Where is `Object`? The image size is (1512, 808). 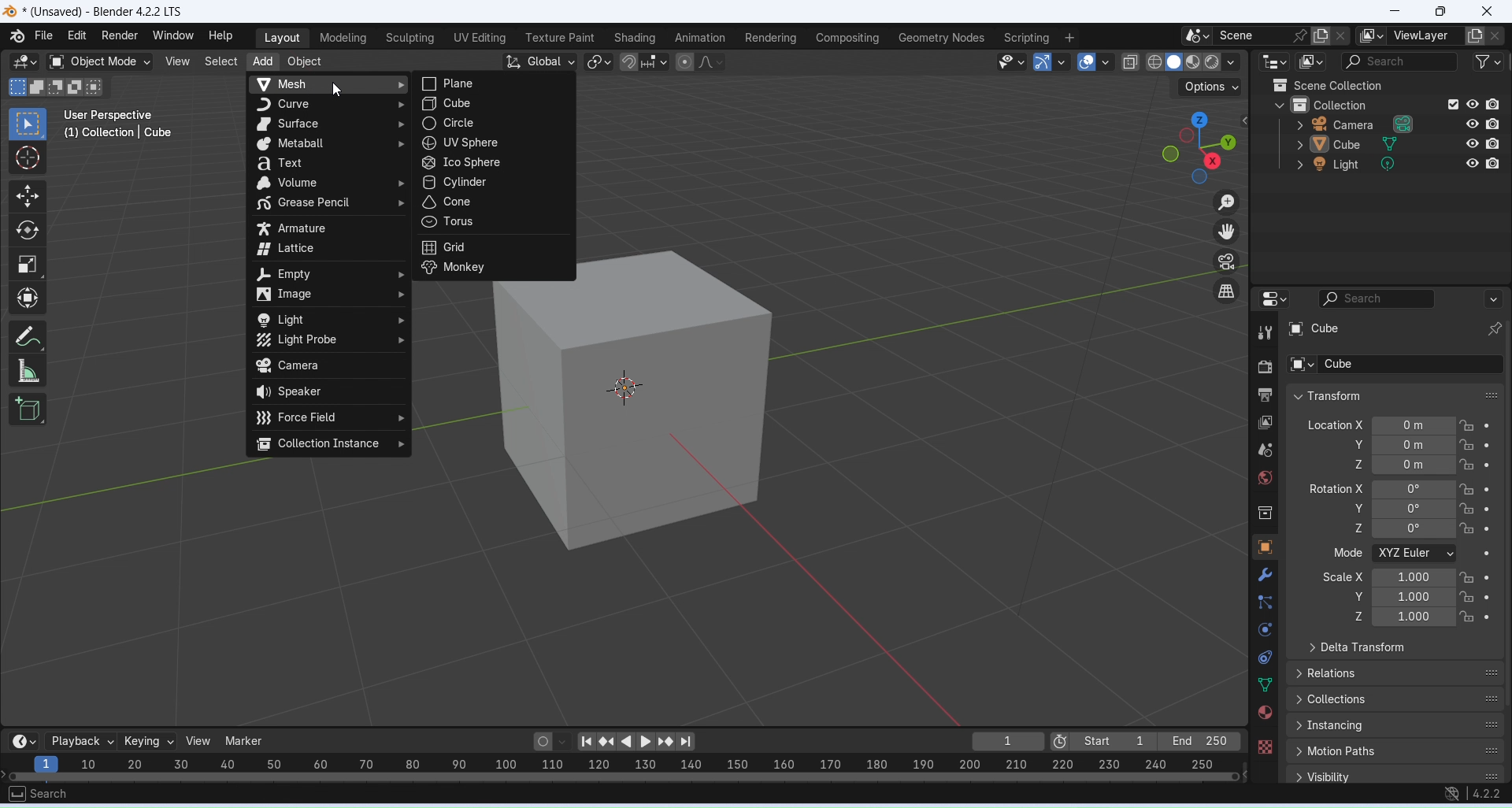
Object is located at coordinates (305, 61).